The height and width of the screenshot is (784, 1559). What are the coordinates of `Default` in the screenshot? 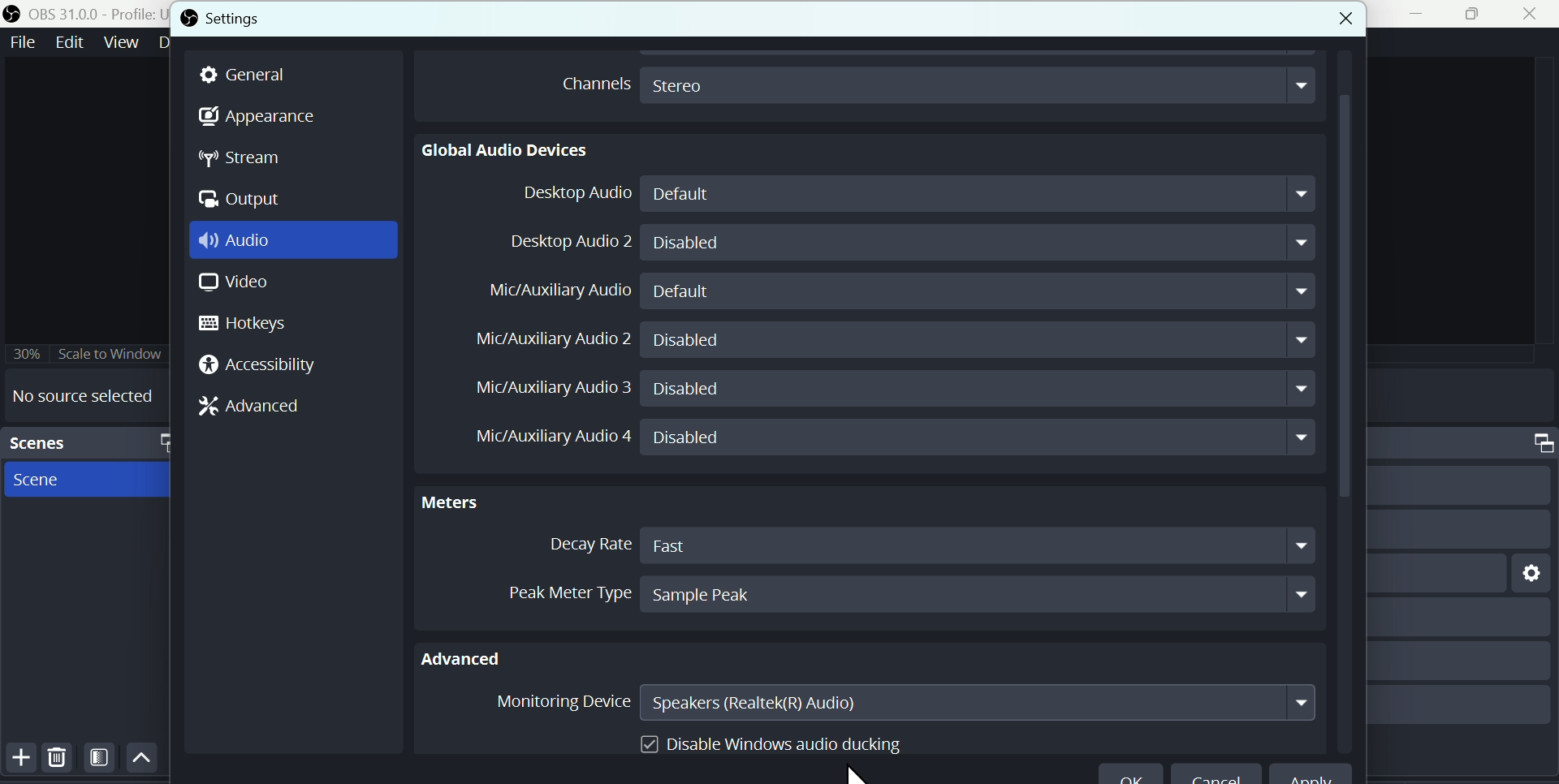 It's located at (981, 291).